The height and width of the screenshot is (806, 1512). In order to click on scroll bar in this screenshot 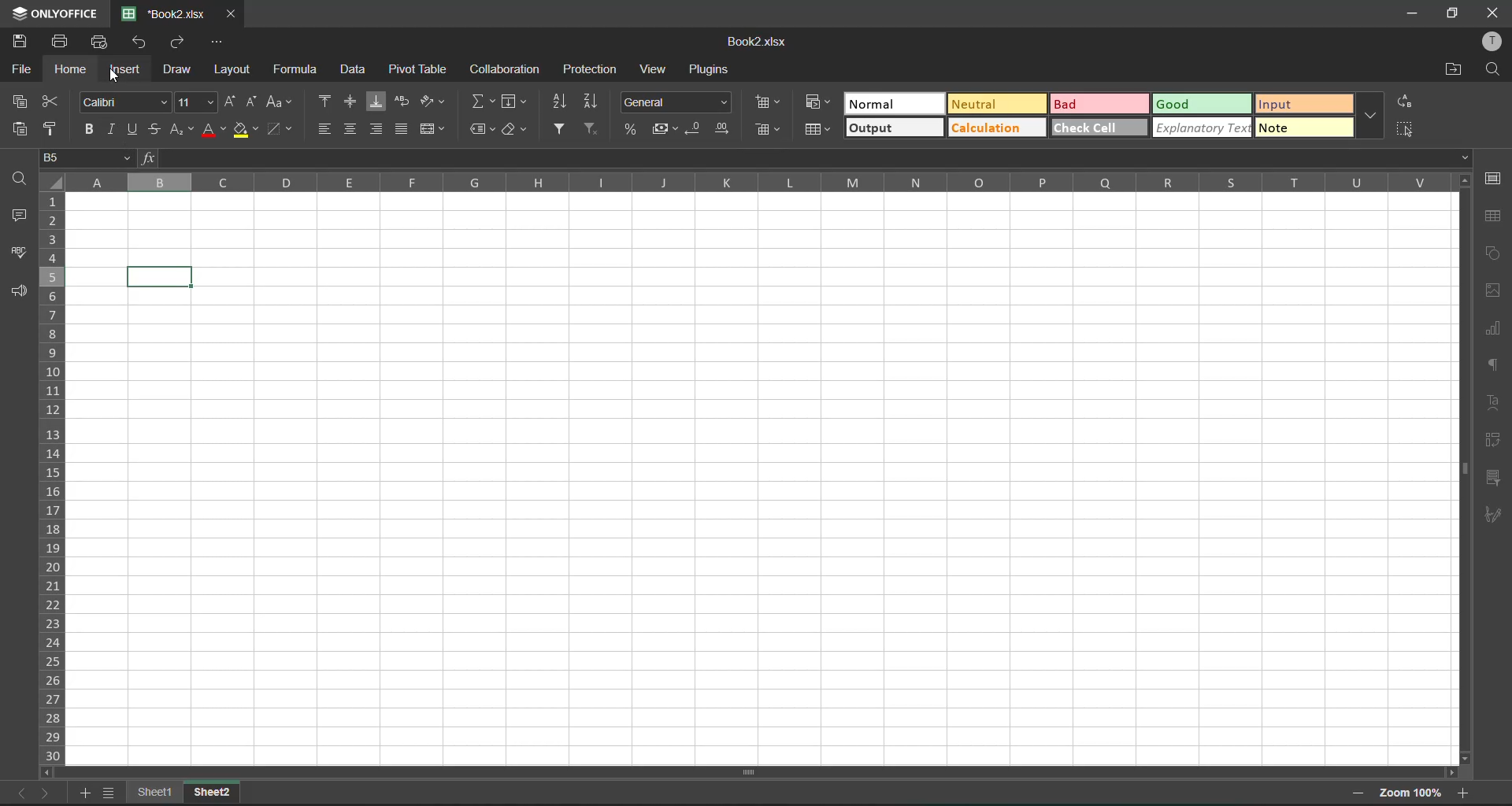, I will do `click(734, 774)`.